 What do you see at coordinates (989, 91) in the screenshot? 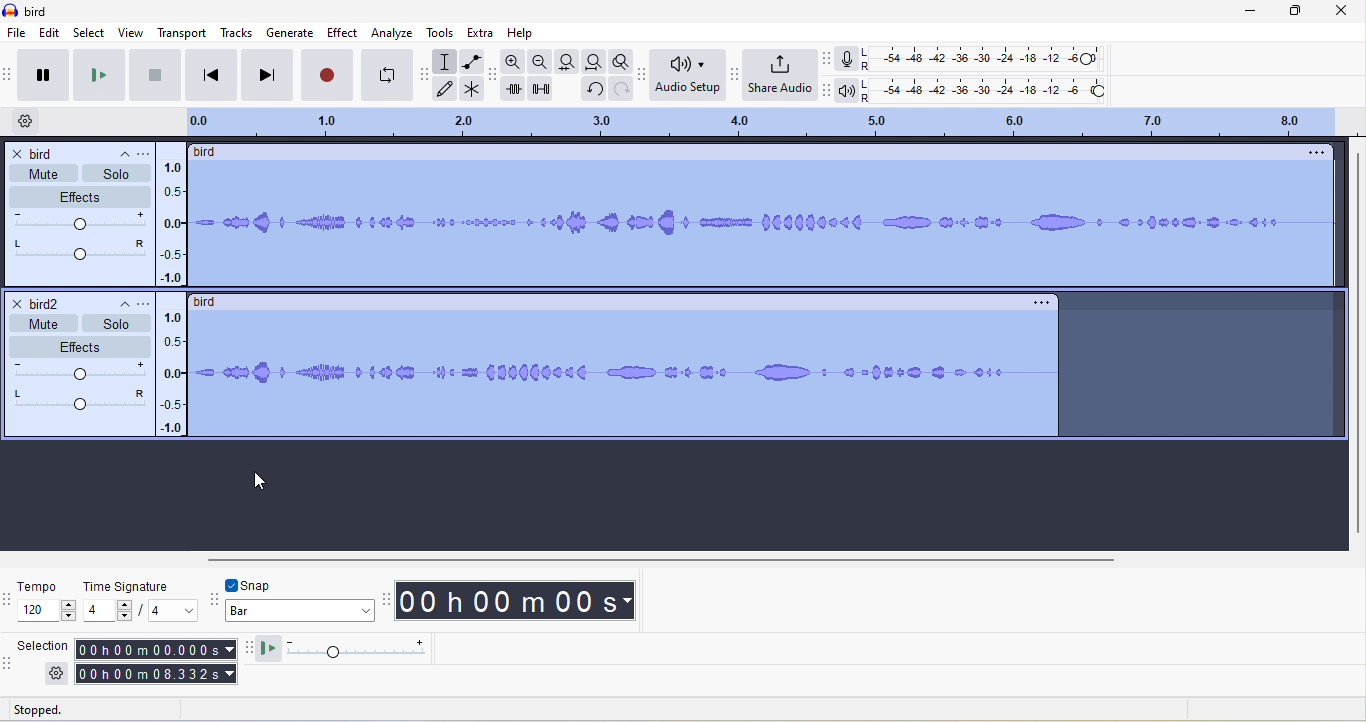
I see `playback level` at bounding box center [989, 91].